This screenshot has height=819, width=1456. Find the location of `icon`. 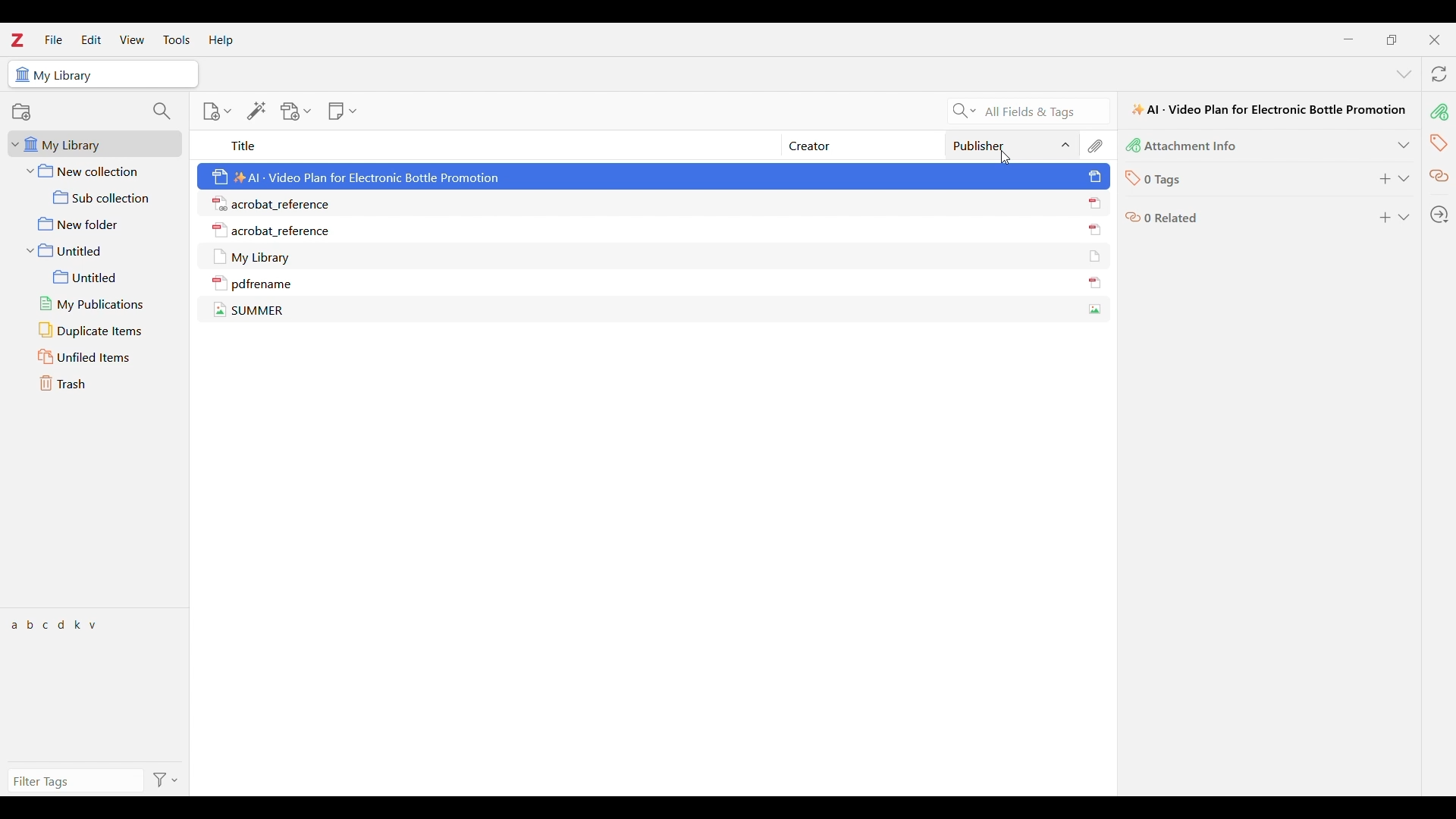

icon is located at coordinates (1095, 283).